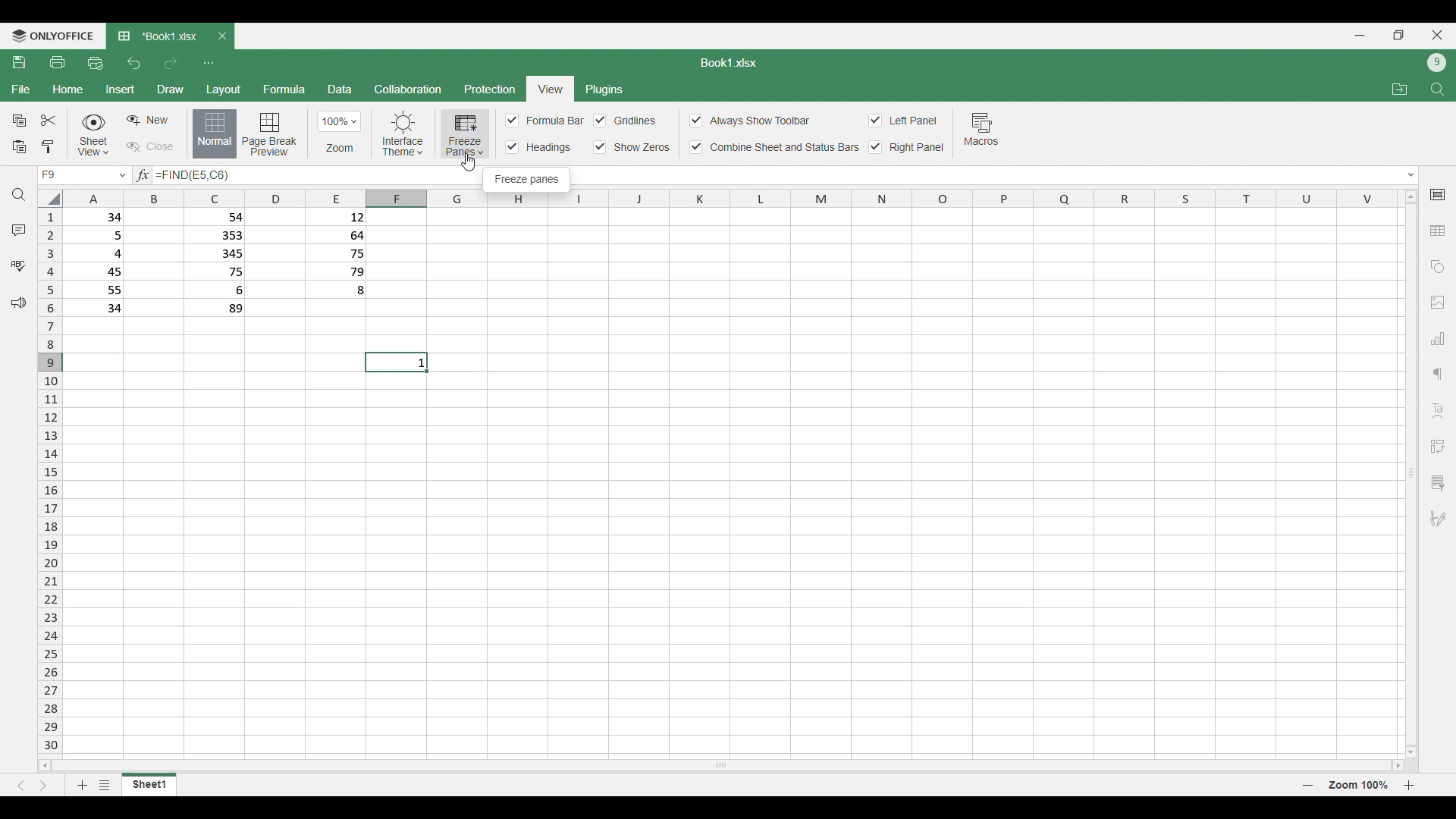 Image resolution: width=1456 pixels, height=819 pixels. I want to click on , so click(632, 147).